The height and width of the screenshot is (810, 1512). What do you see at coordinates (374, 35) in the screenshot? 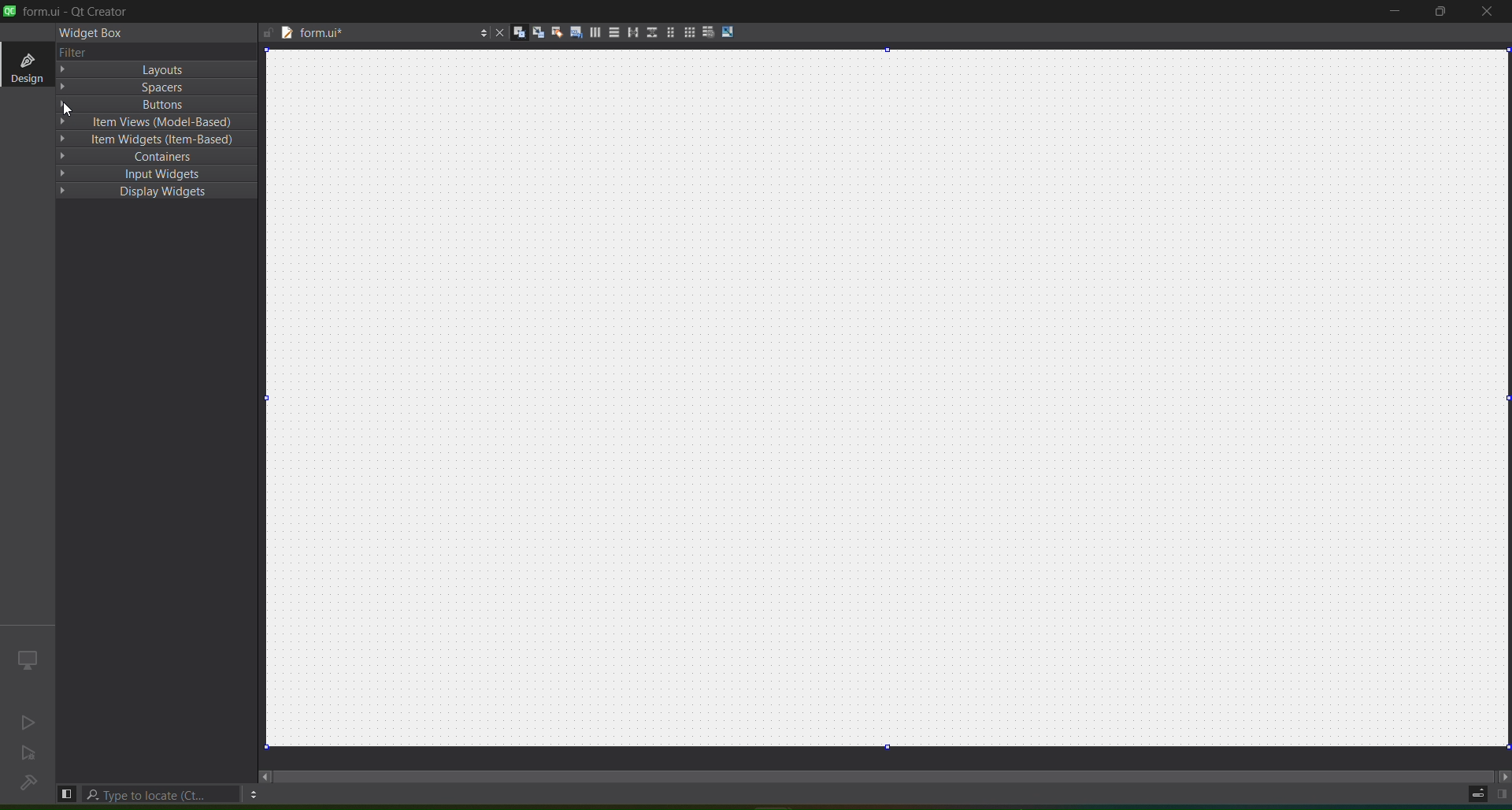
I see `file name` at bounding box center [374, 35].